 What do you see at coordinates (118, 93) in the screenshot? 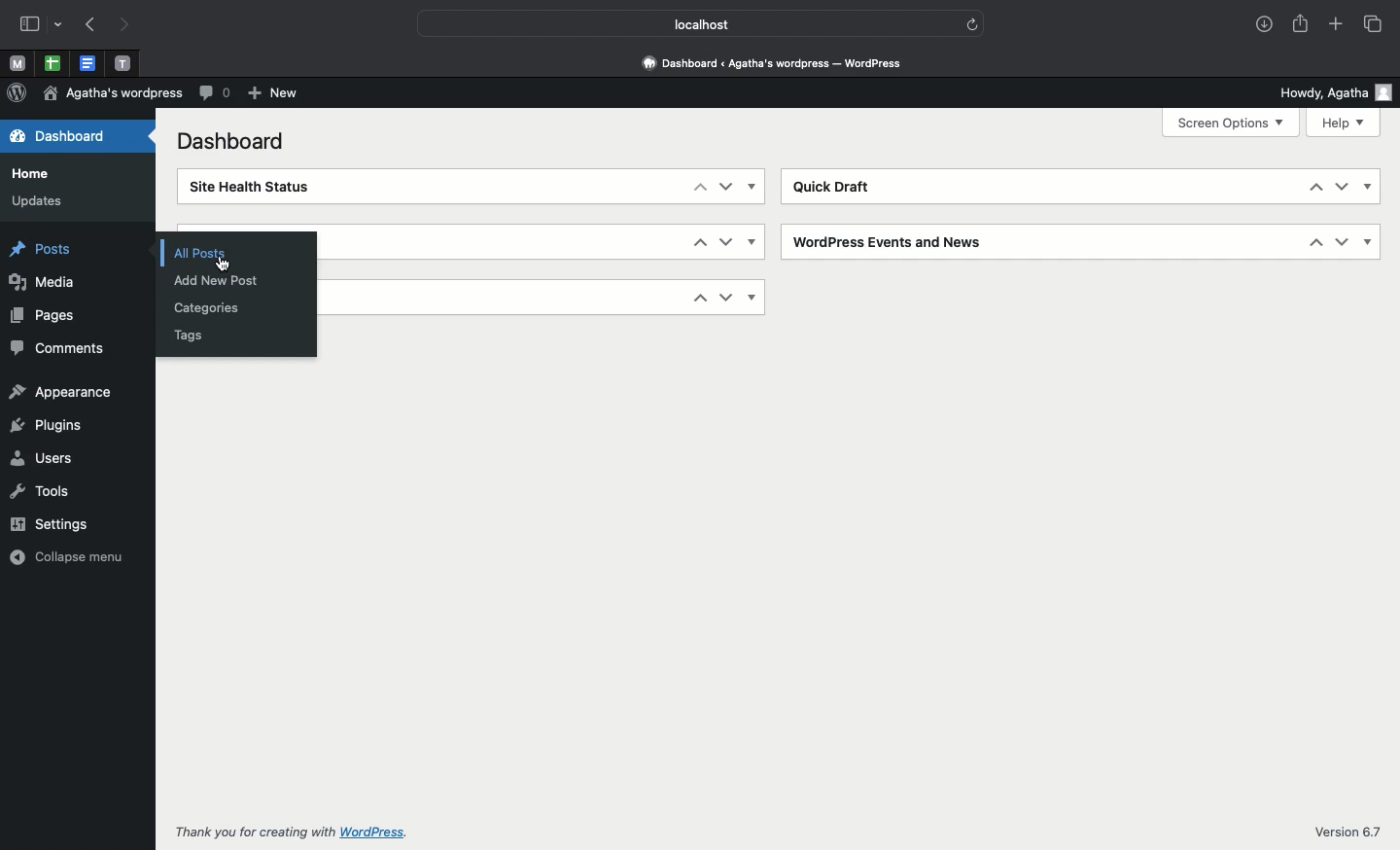
I see `Name of Wordpress` at bounding box center [118, 93].